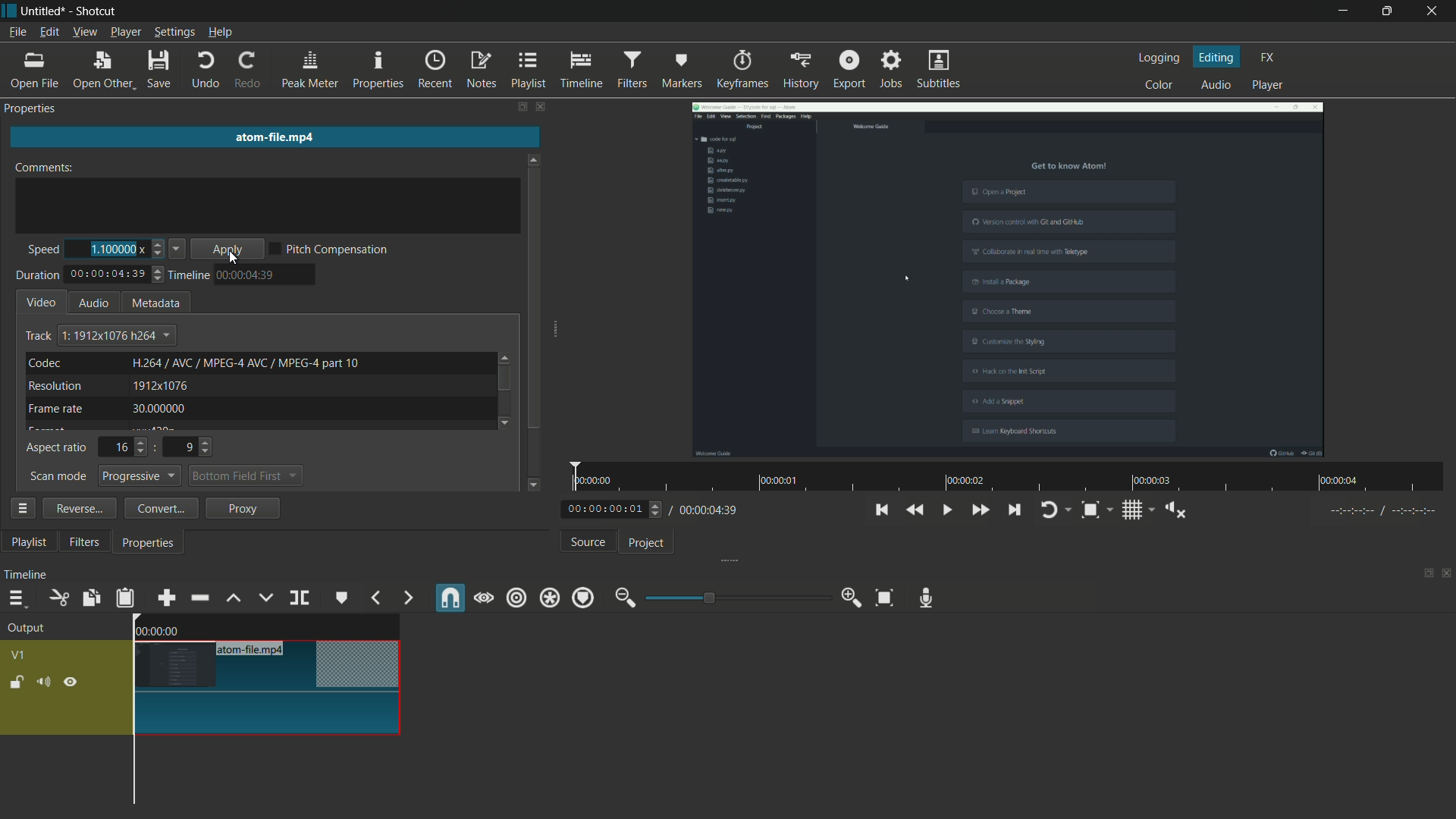  What do you see at coordinates (1341, 11) in the screenshot?
I see `minimize` at bounding box center [1341, 11].